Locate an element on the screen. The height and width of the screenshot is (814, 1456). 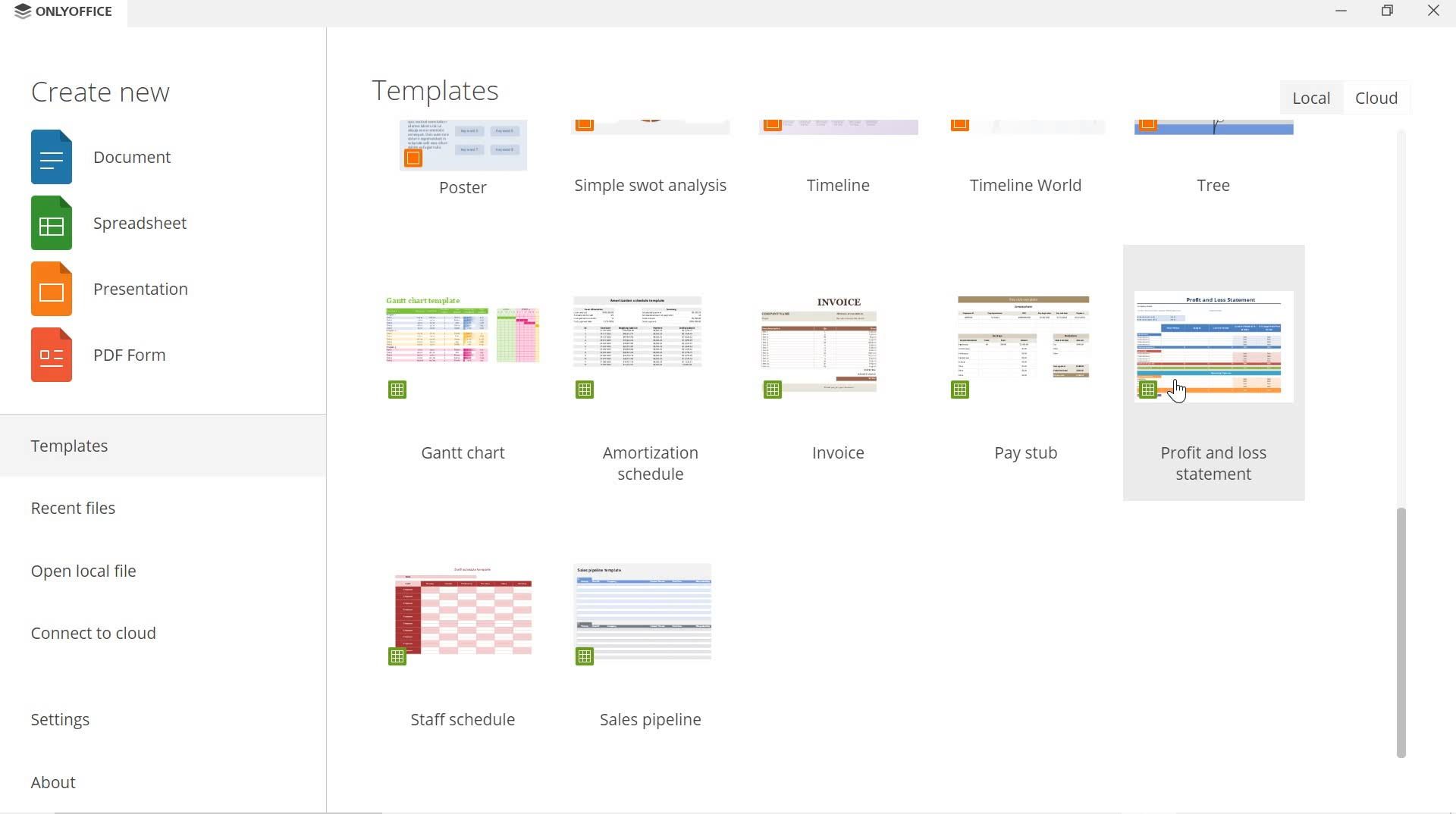
Simple swot analysis is located at coordinates (657, 186).